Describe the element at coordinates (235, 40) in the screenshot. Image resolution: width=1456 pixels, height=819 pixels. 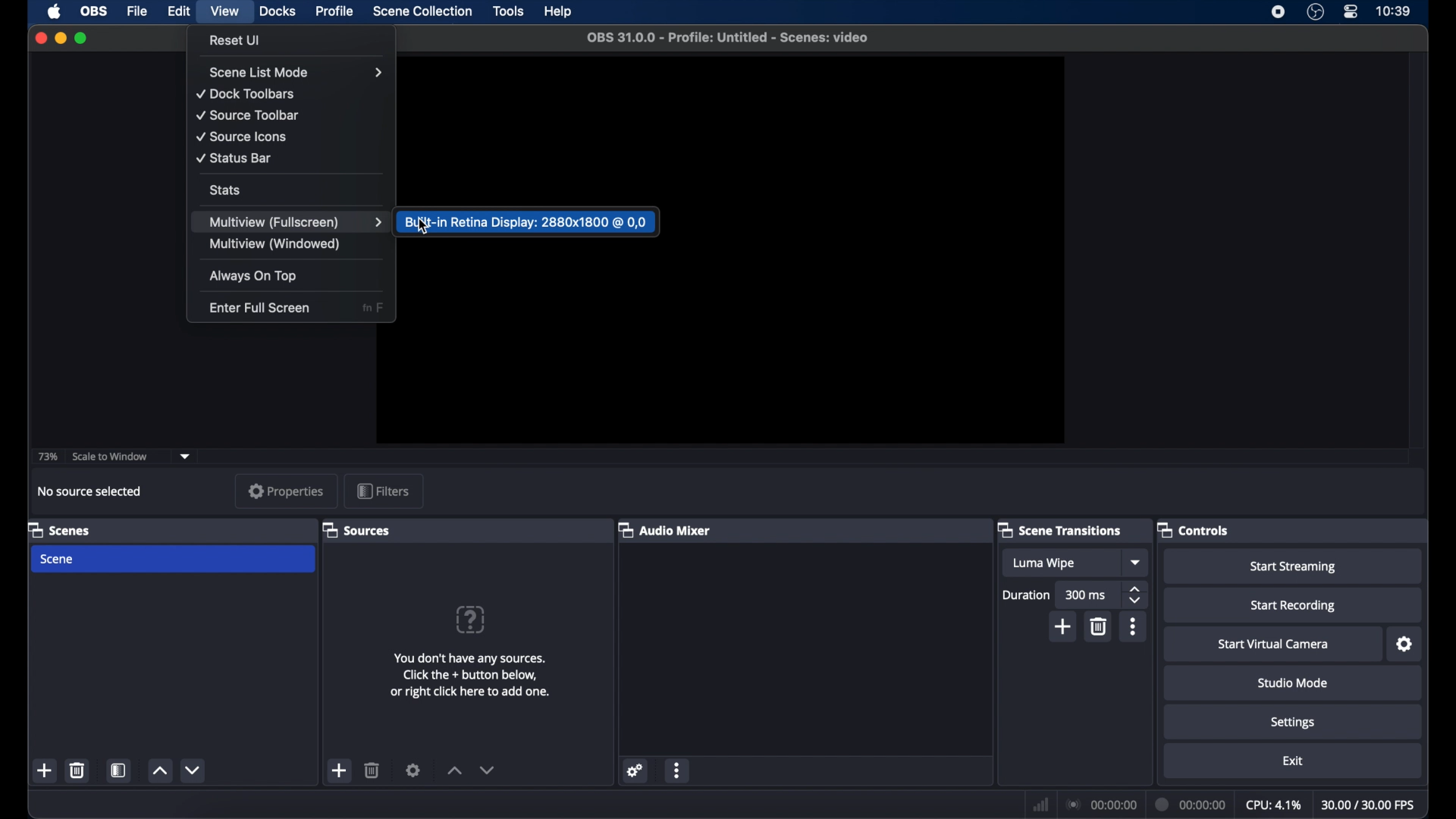
I see `reset UI` at that location.